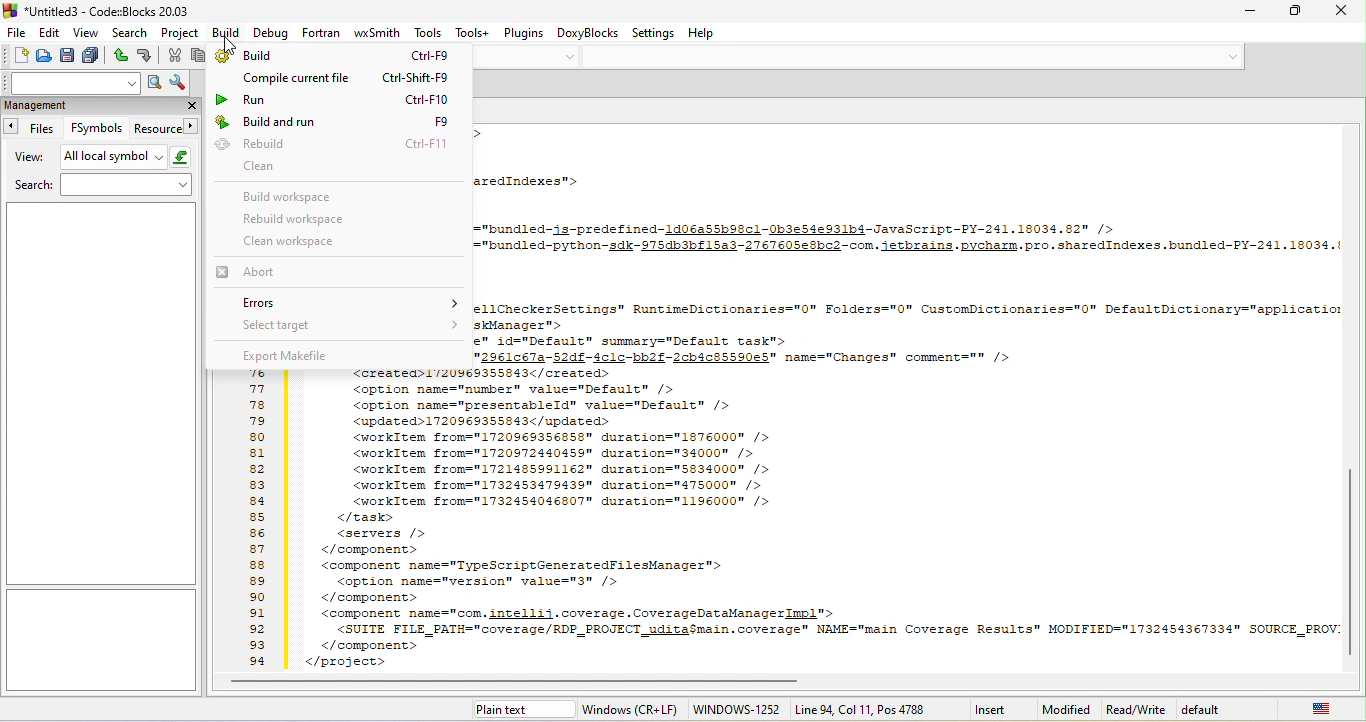 The image size is (1366, 722). Describe the element at coordinates (94, 55) in the screenshot. I see `save everything` at that location.